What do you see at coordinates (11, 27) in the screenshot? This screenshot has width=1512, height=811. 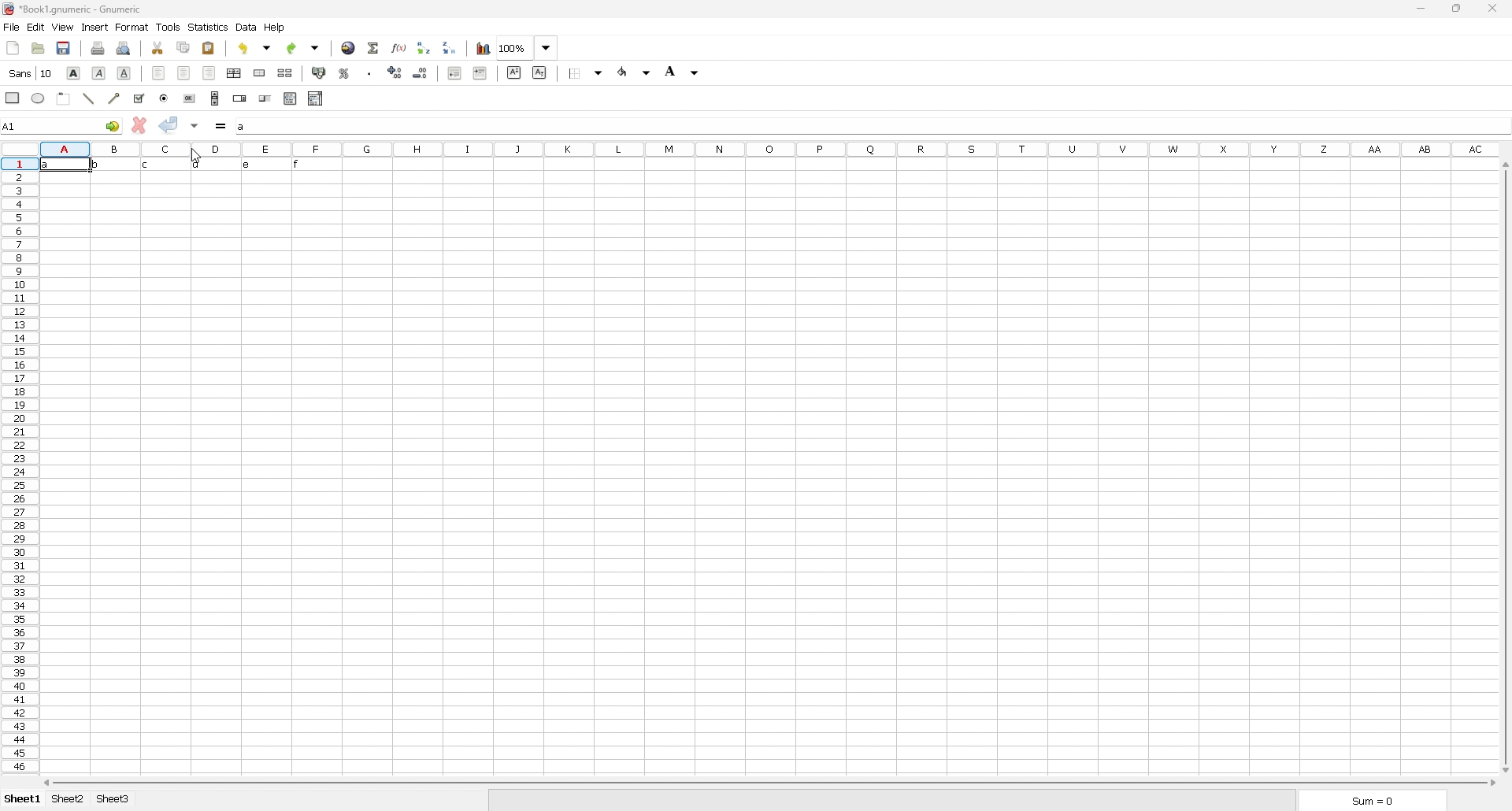 I see `file` at bounding box center [11, 27].